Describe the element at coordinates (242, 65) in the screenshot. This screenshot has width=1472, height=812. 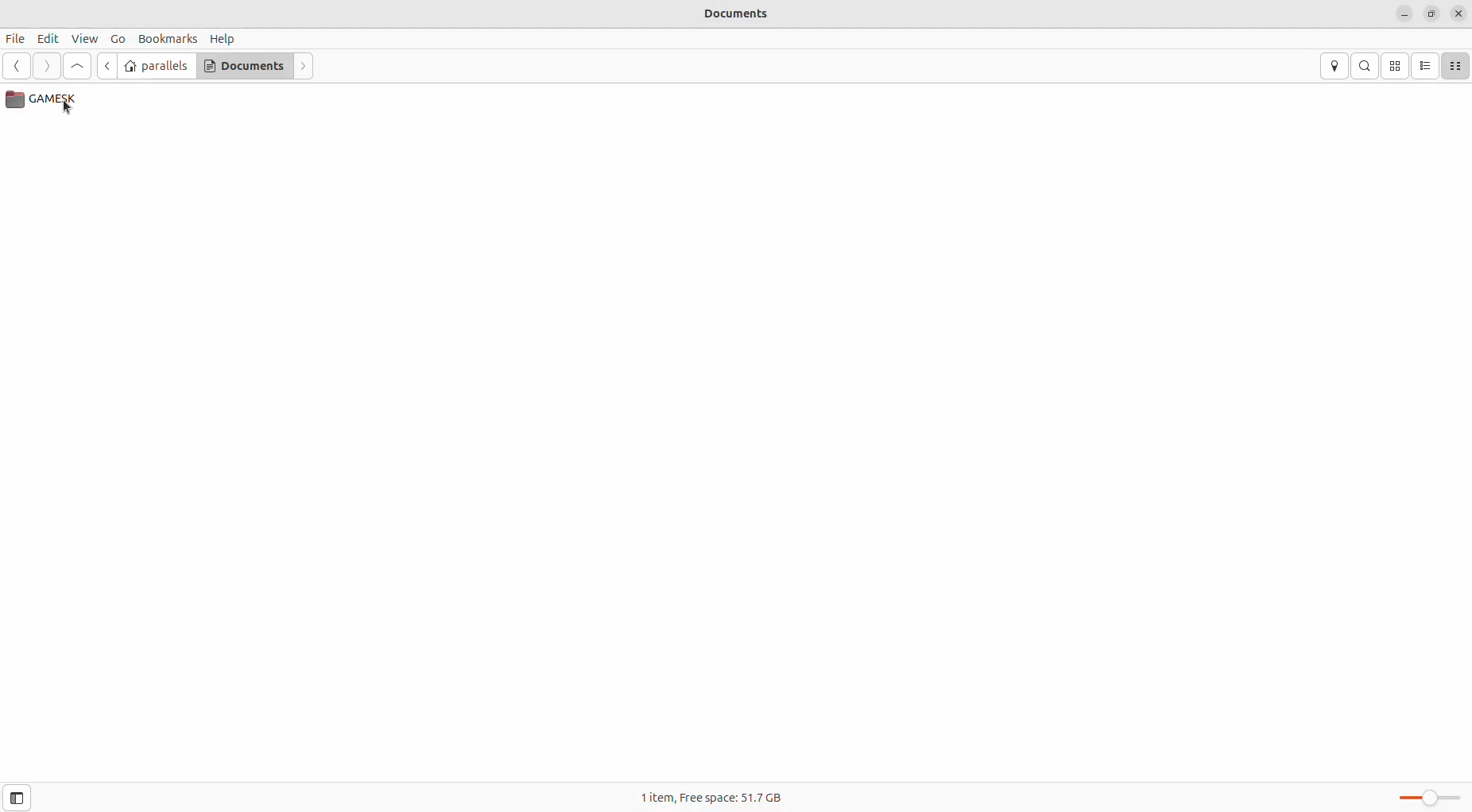
I see `Documents` at that location.